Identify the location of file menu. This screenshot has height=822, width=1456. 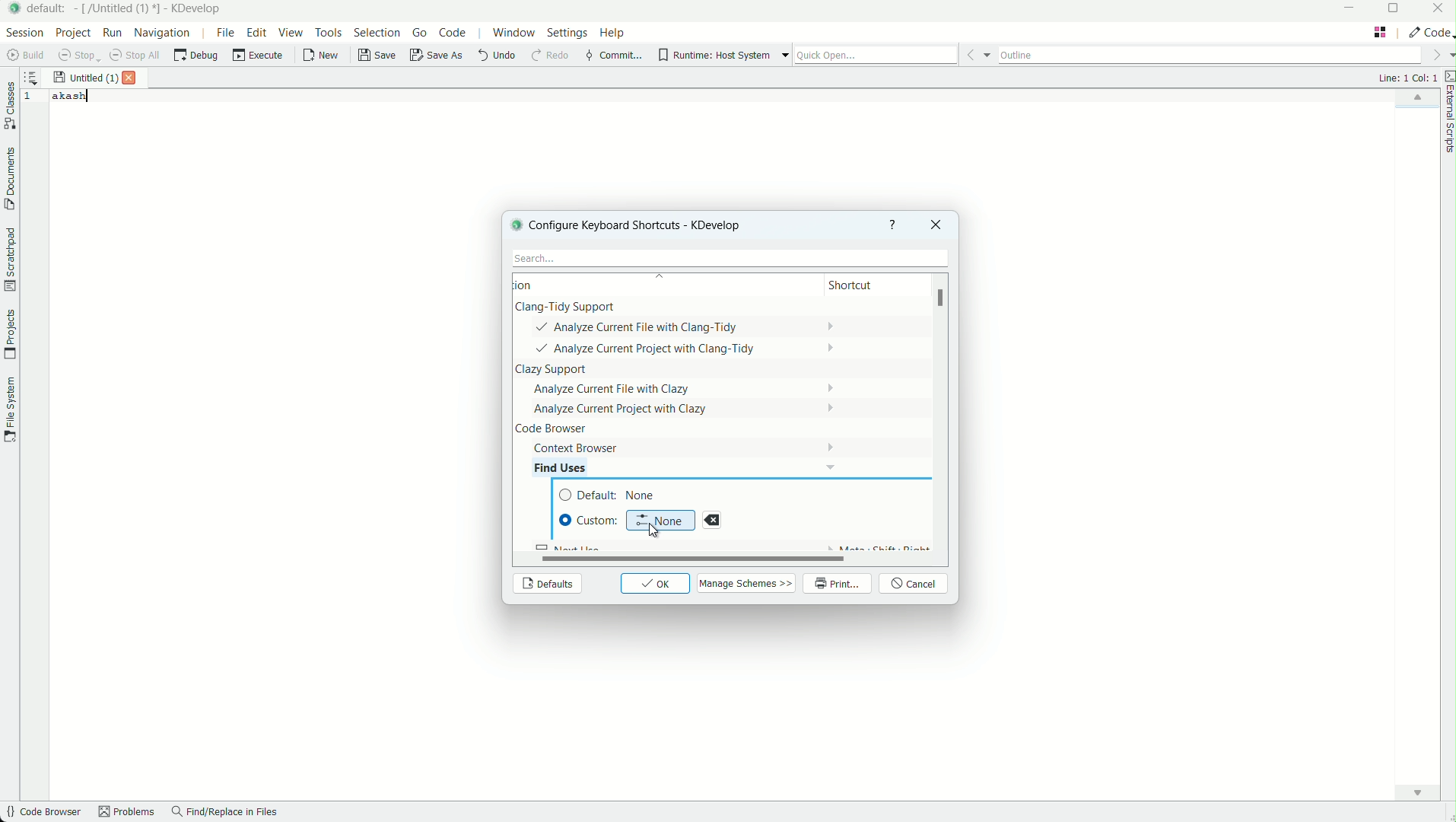
(224, 32).